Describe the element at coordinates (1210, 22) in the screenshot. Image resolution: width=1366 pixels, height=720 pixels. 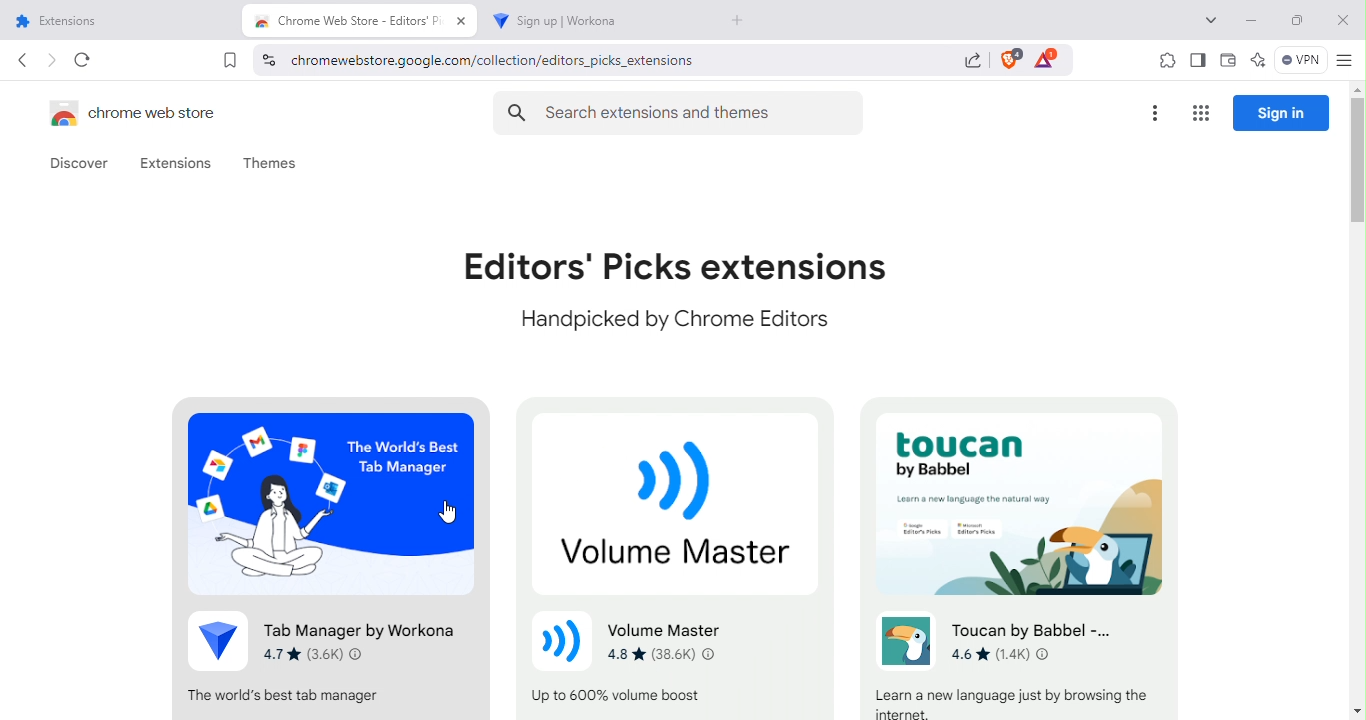
I see `Search tabs` at that location.